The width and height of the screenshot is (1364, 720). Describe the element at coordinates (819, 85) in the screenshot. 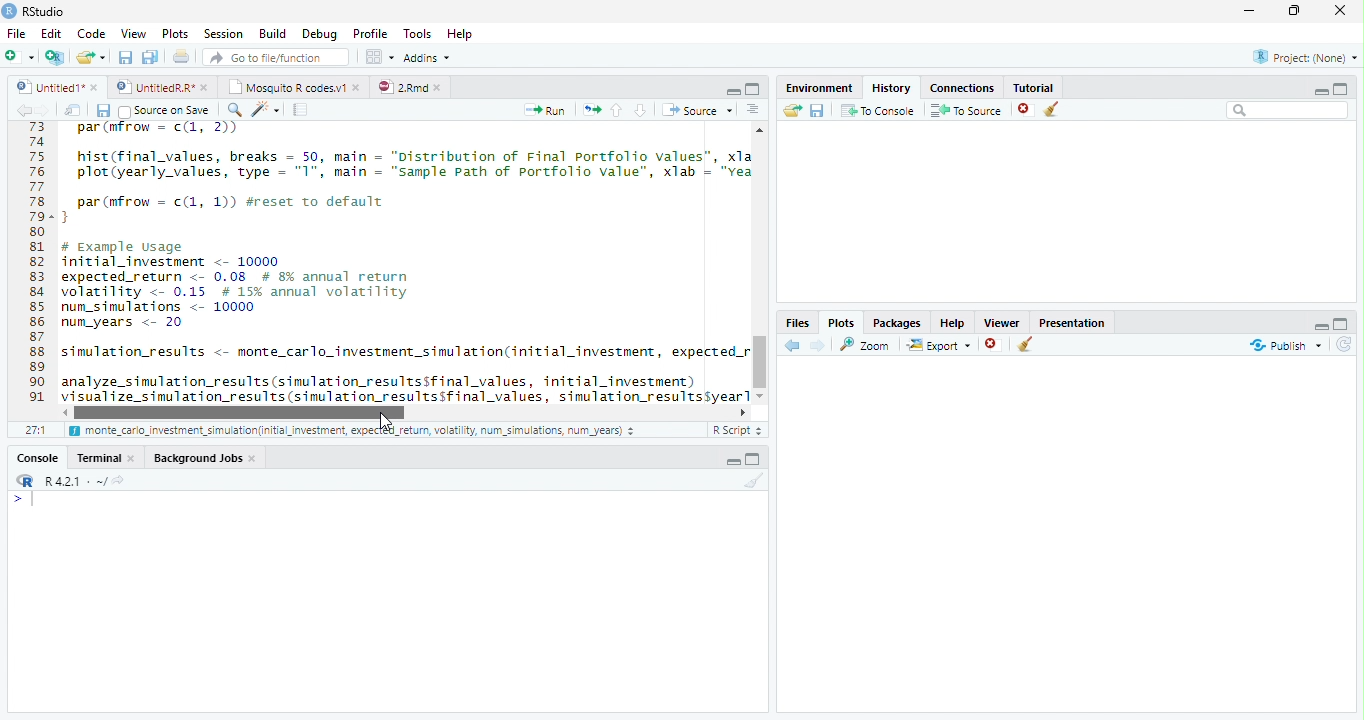

I see `Environment` at that location.